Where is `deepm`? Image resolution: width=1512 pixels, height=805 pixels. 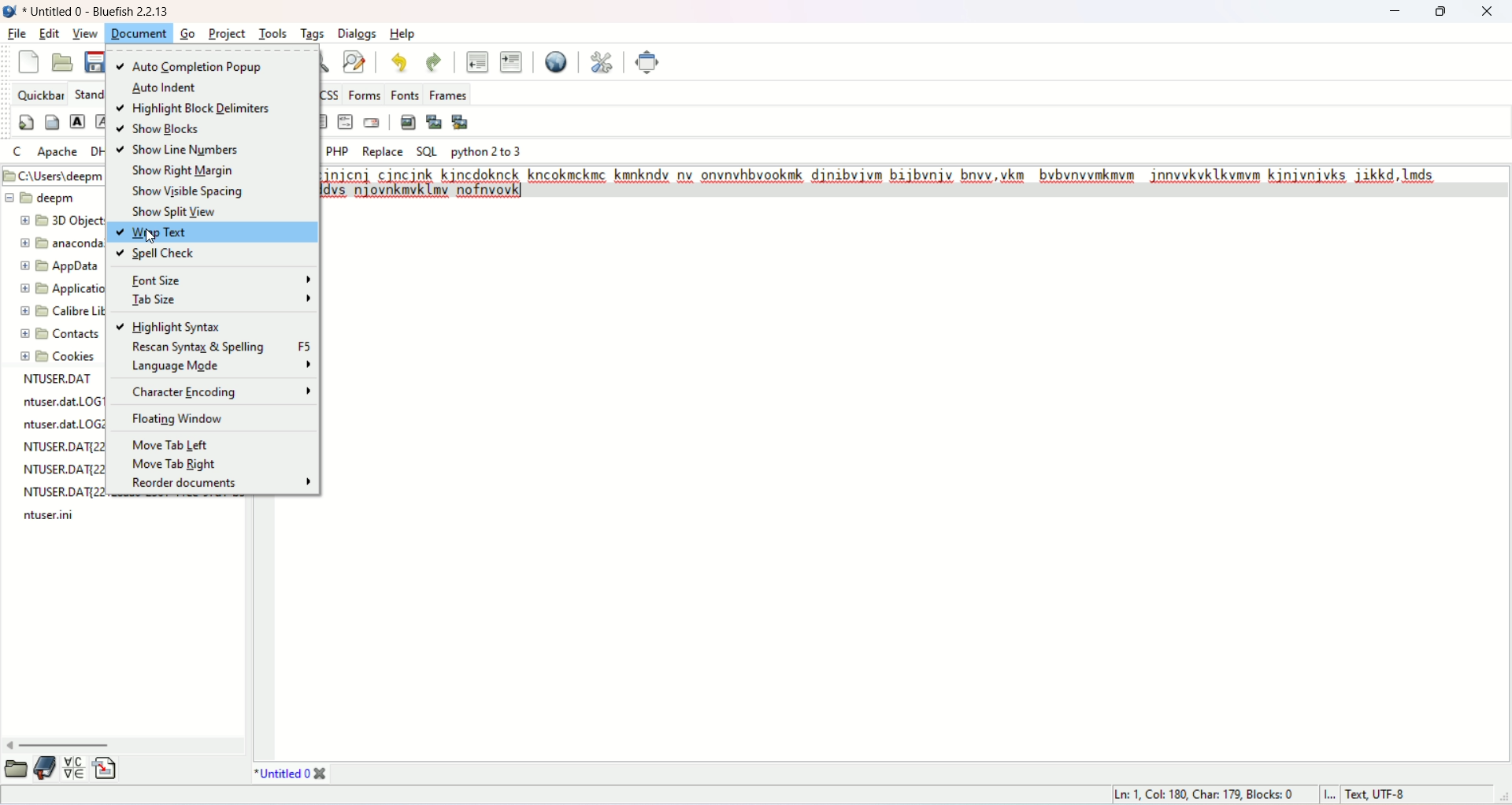 deepm is located at coordinates (52, 198).